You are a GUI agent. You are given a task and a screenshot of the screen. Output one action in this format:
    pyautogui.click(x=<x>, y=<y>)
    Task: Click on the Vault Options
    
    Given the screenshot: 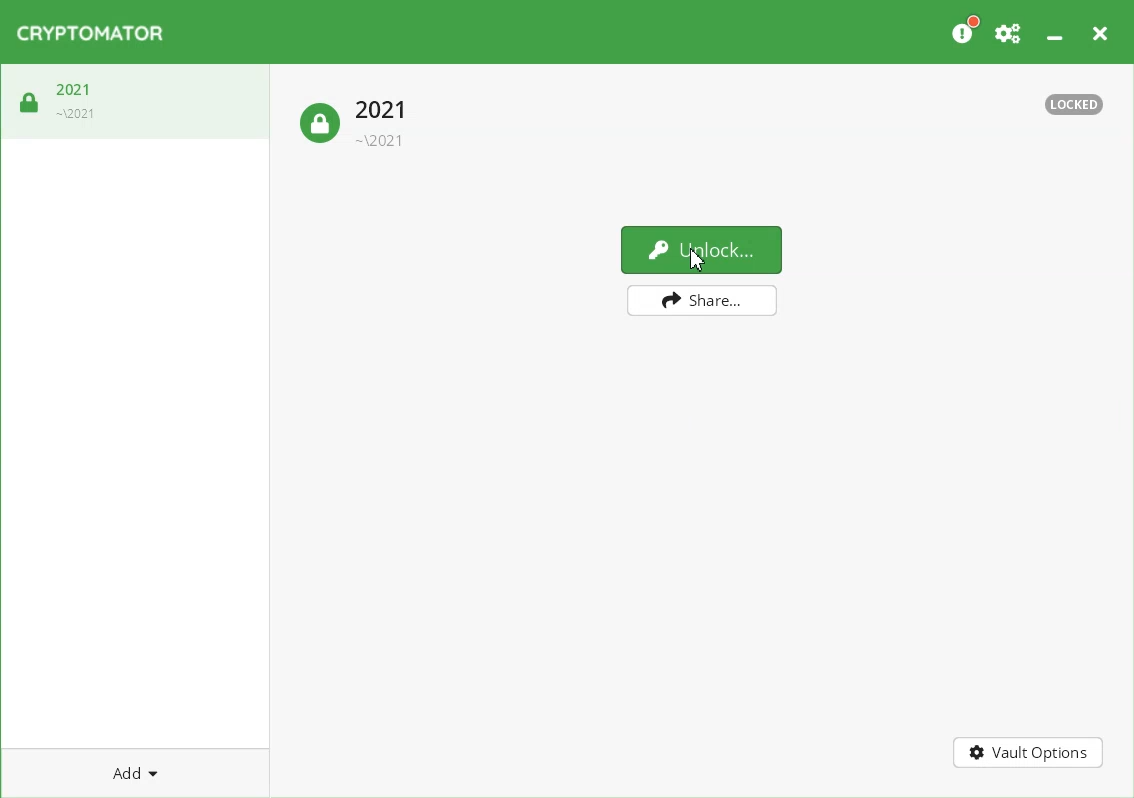 What is the action you would take?
    pyautogui.click(x=1029, y=754)
    